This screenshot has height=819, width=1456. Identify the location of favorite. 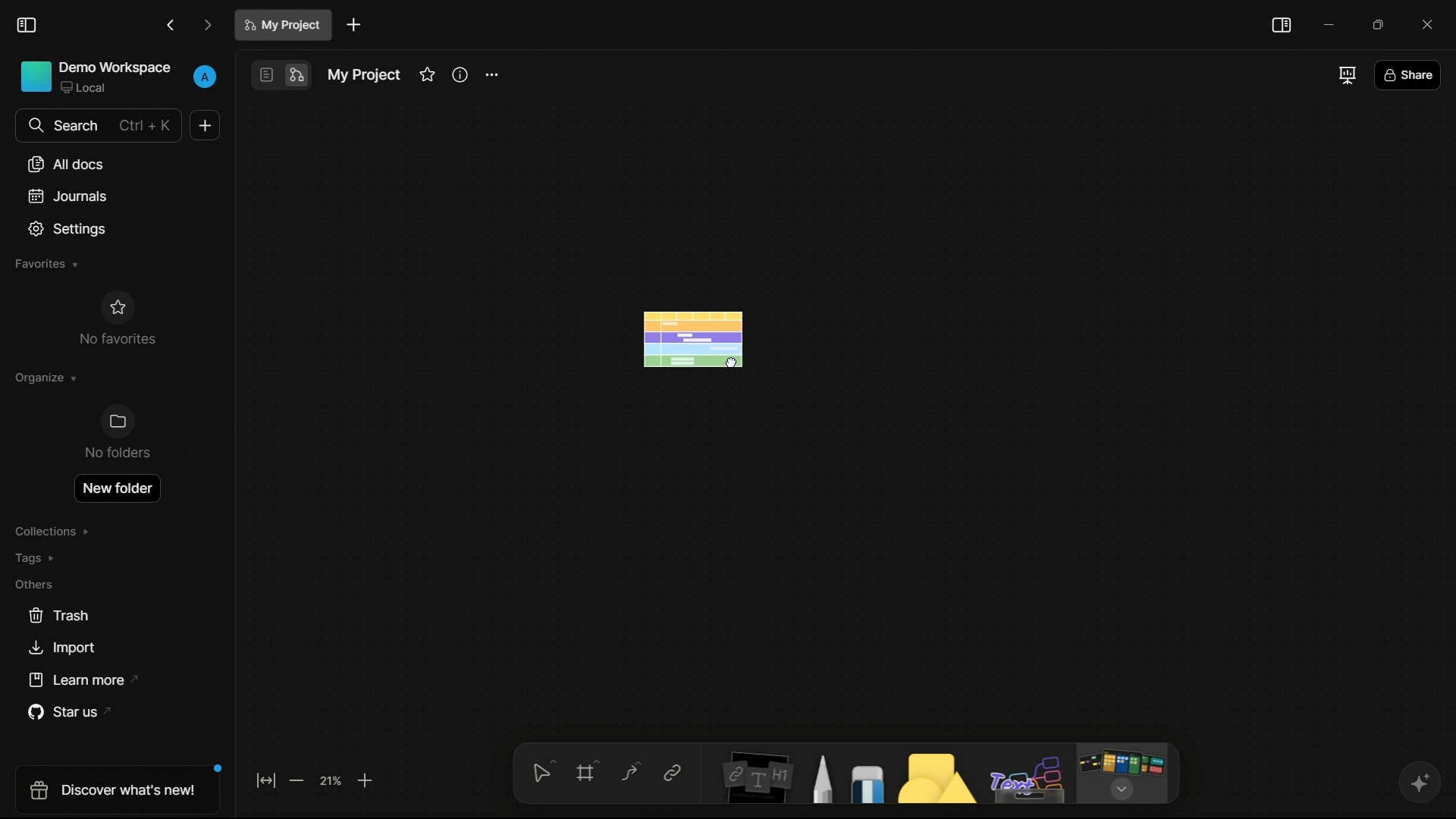
(426, 75).